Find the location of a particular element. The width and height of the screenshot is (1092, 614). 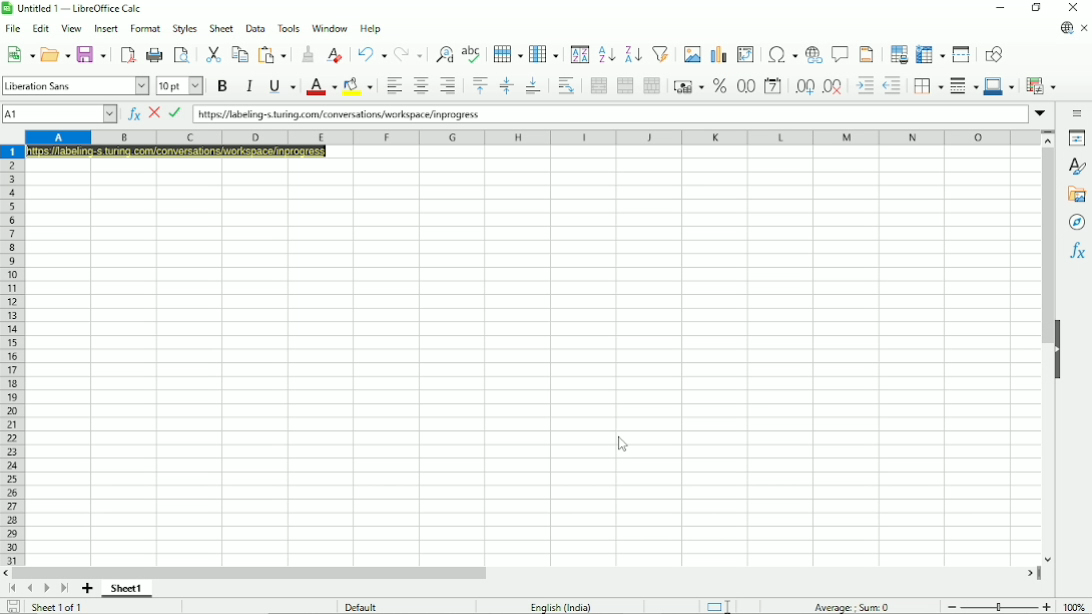

Sort descending is located at coordinates (633, 55).